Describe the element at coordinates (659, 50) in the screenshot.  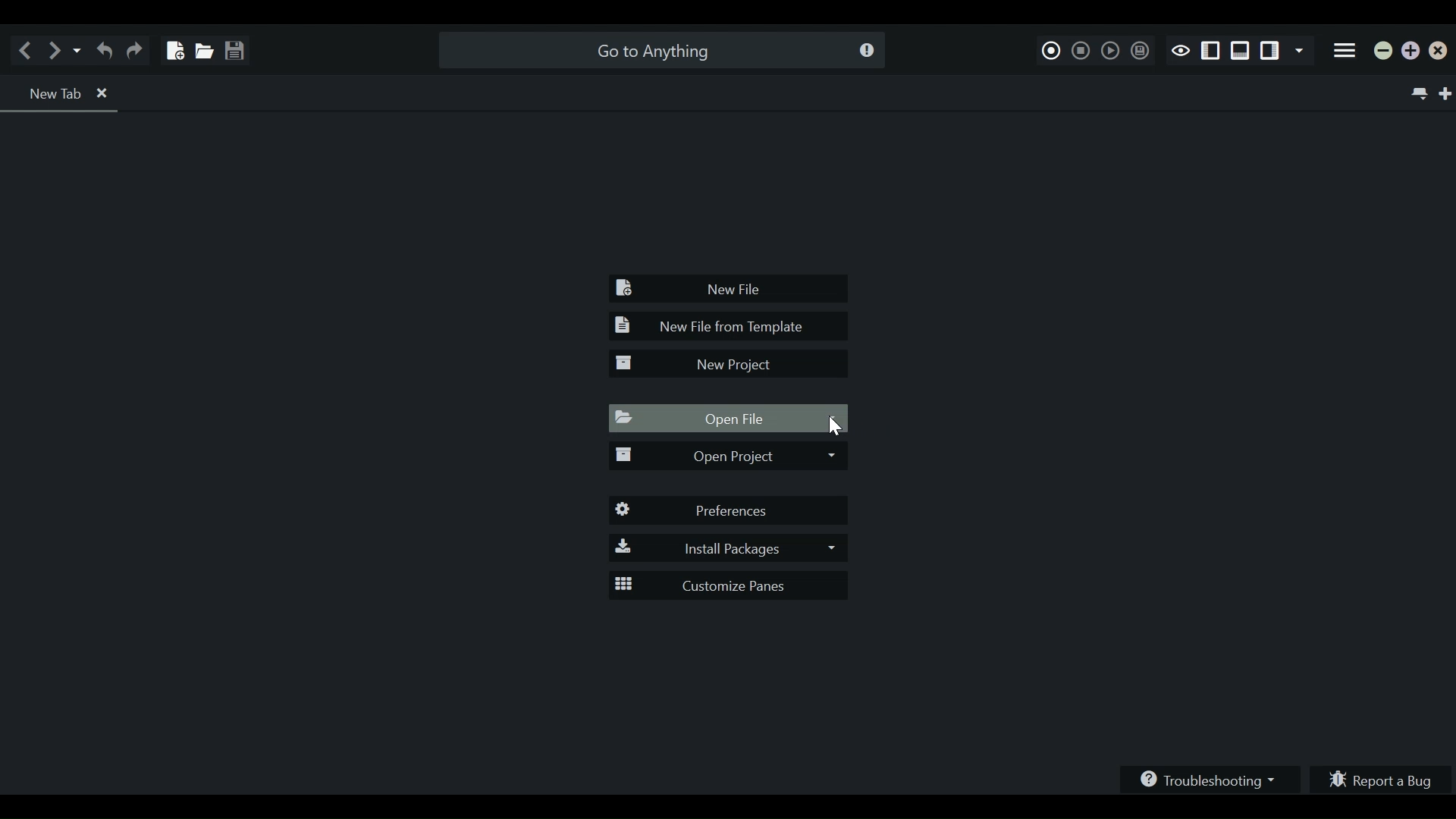
I see `Search` at that location.